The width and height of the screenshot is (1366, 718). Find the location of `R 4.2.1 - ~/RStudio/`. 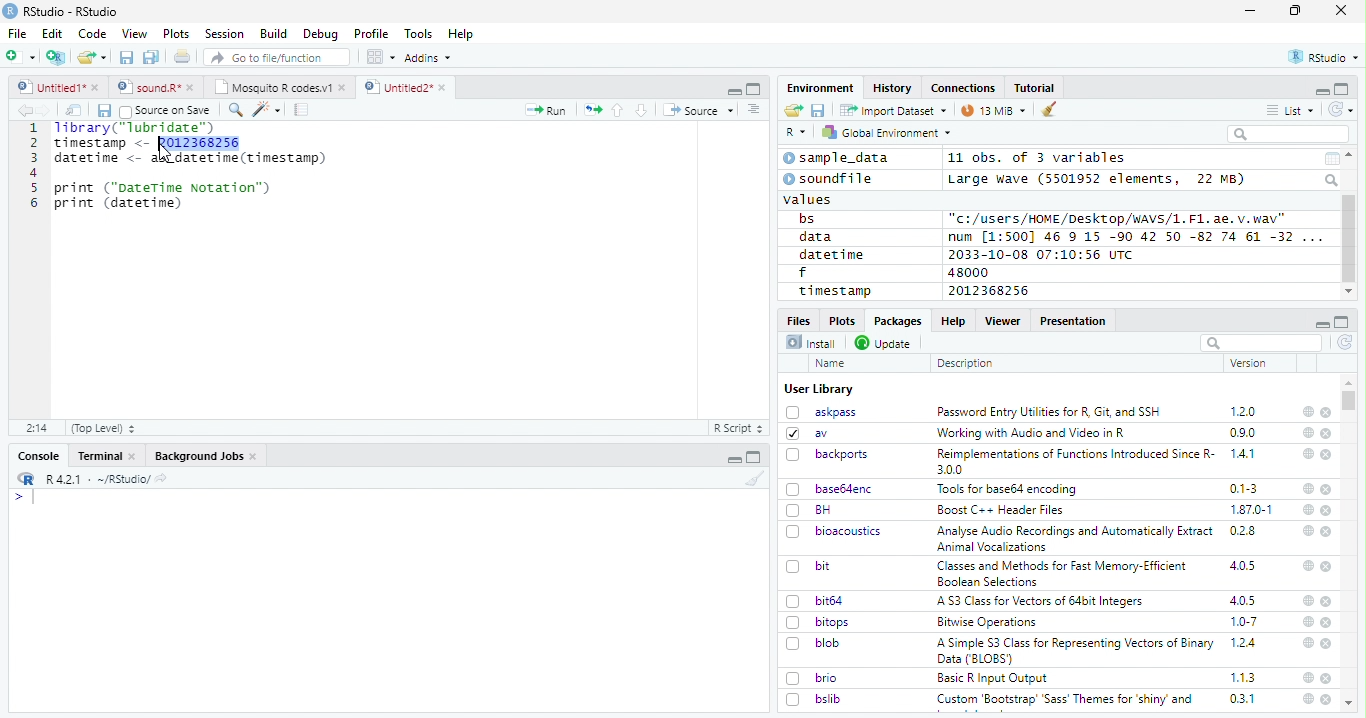

R 4.2.1 - ~/RStudio/ is located at coordinates (95, 479).